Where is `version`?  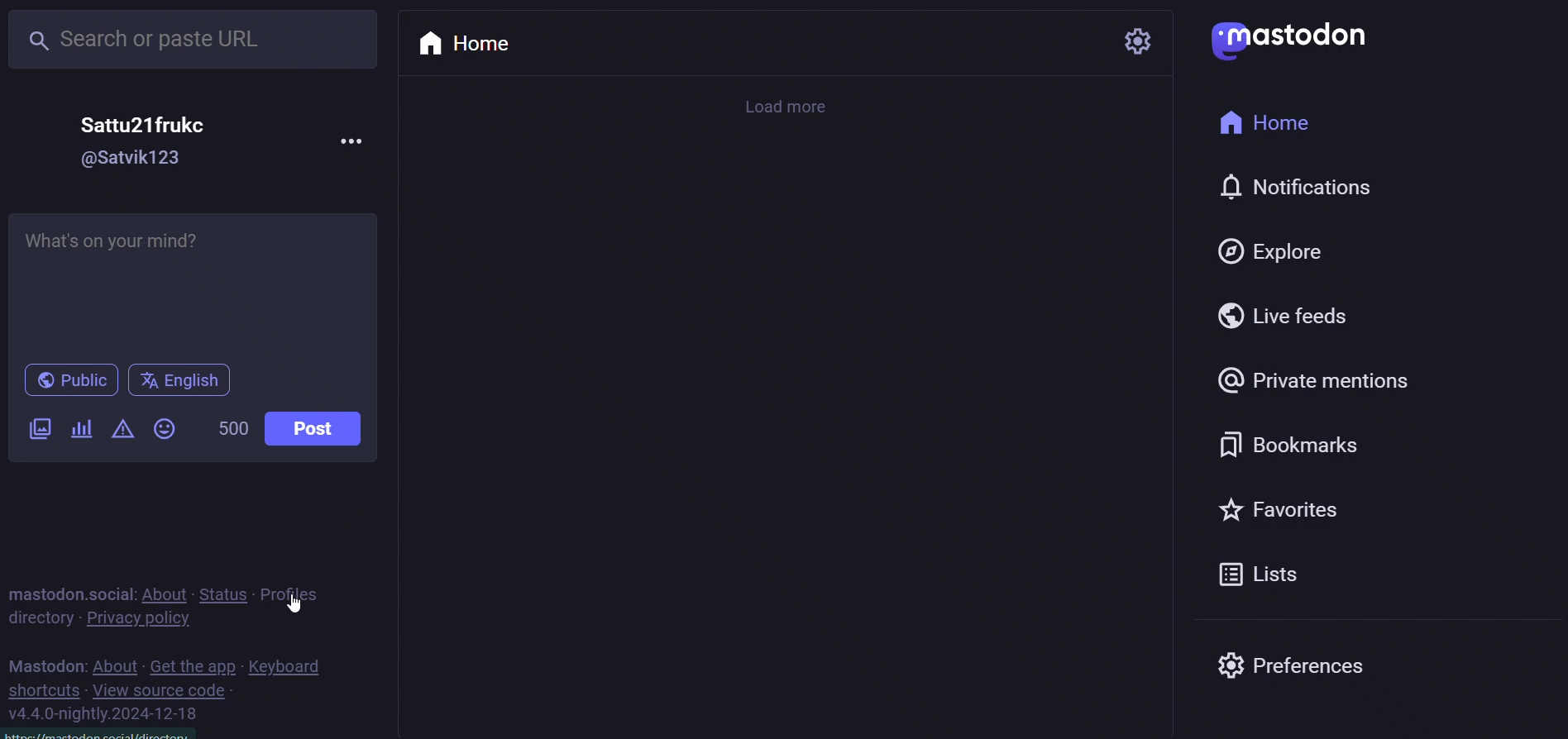
version is located at coordinates (108, 713).